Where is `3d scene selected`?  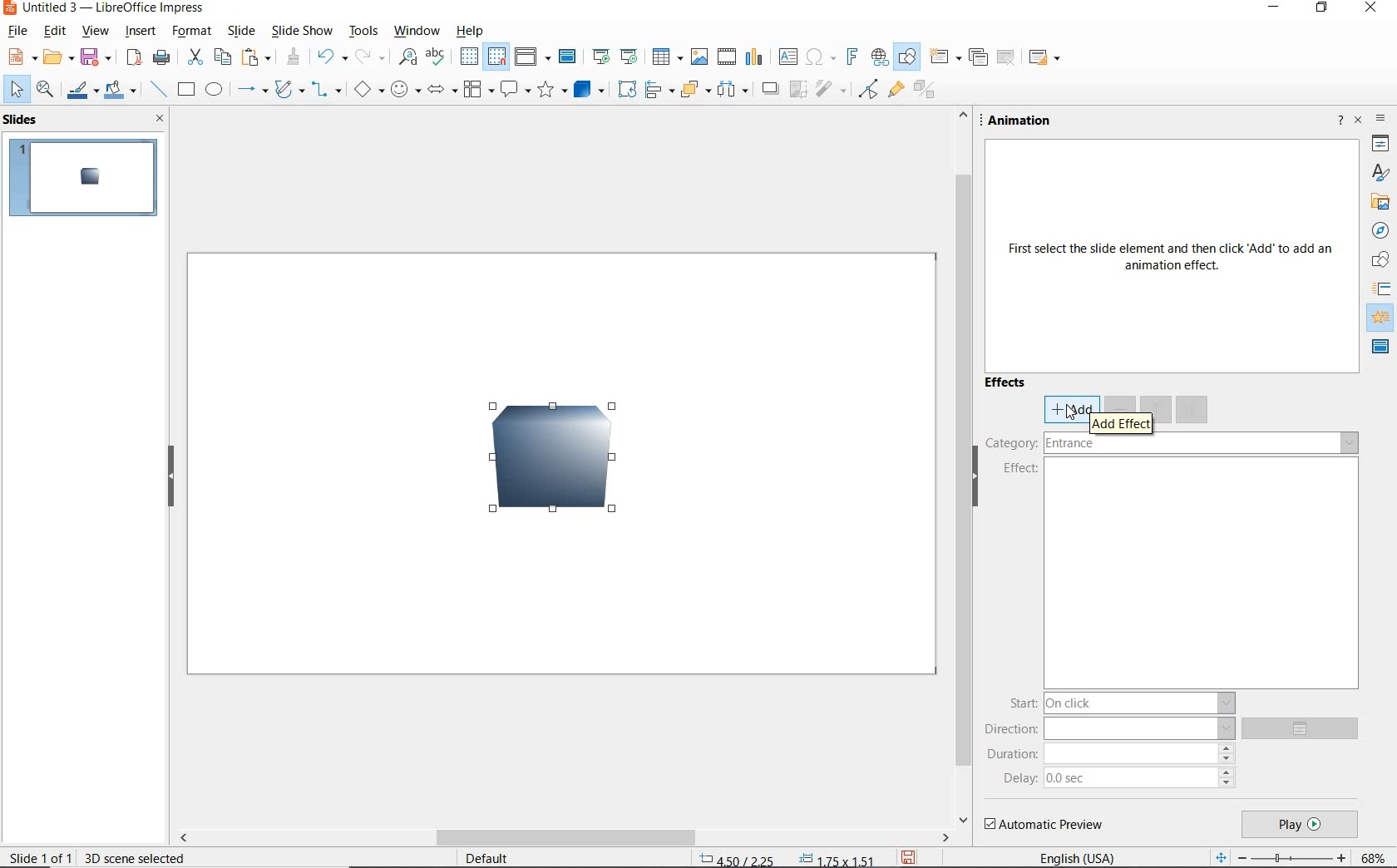 3d scene selected is located at coordinates (135, 857).